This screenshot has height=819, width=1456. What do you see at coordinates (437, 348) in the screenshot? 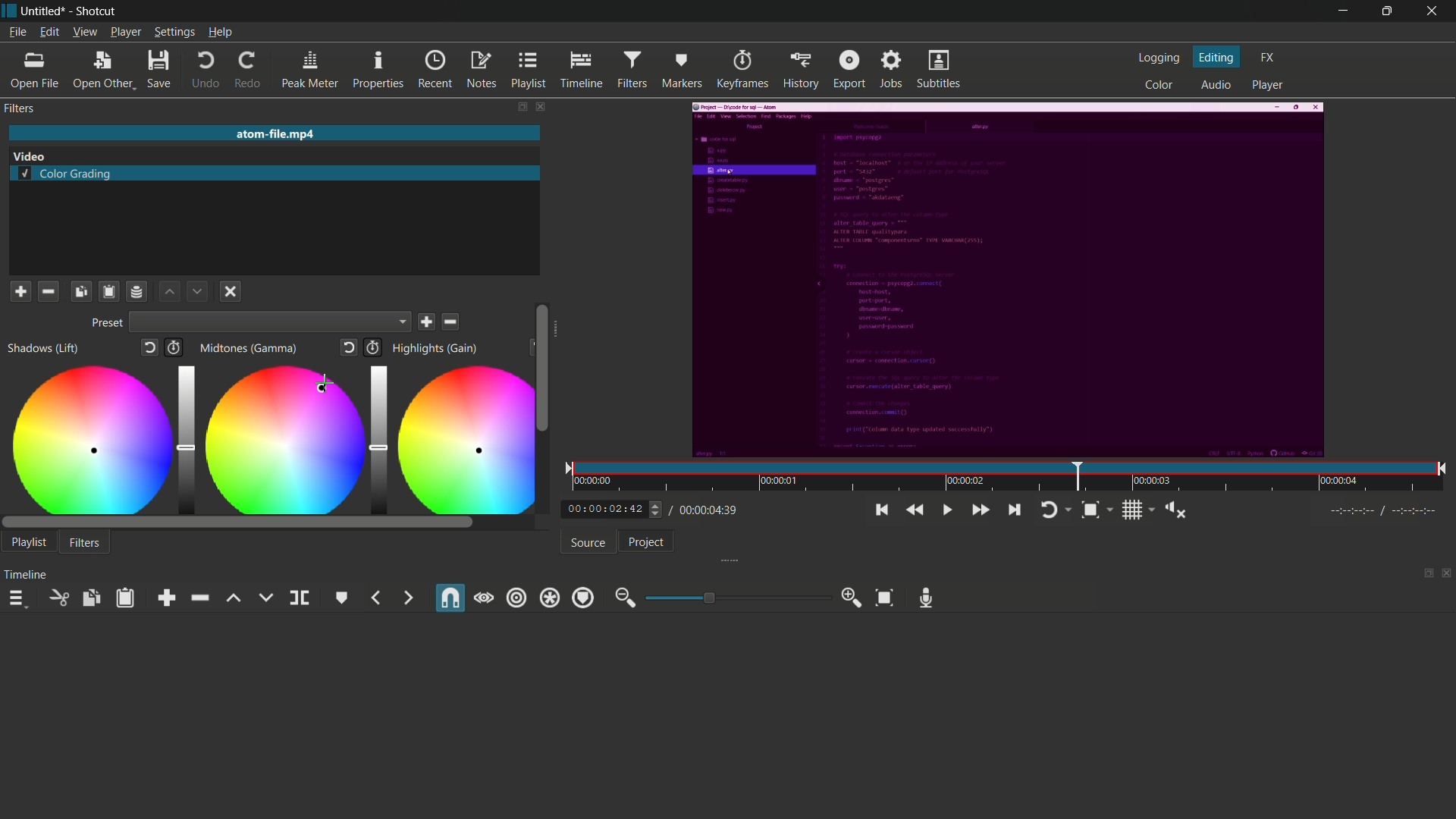
I see `highlights(gain)` at bounding box center [437, 348].